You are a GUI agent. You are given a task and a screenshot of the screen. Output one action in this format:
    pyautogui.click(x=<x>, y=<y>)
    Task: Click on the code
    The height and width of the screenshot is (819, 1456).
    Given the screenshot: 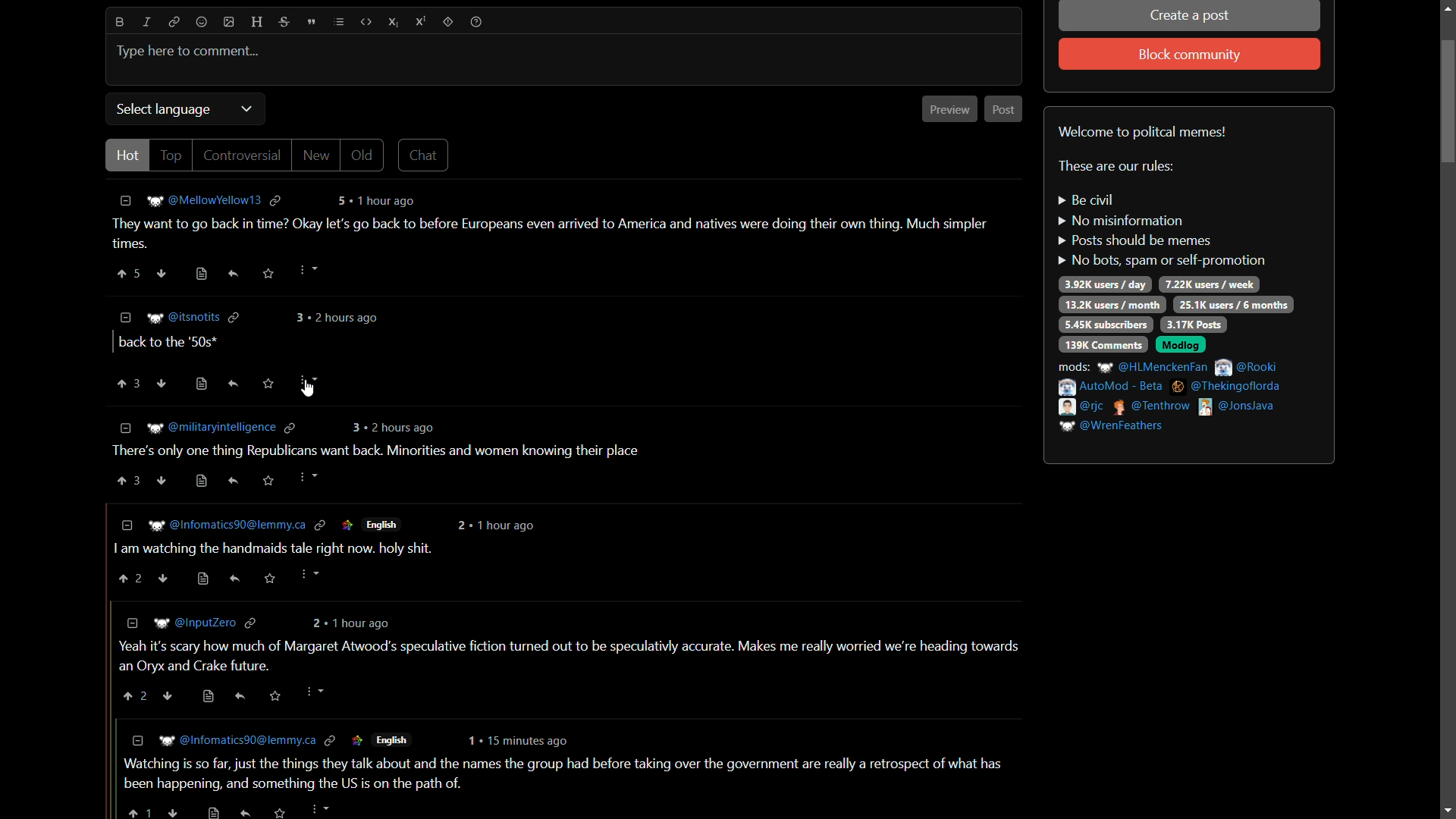 What is the action you would take?
    pyautogui.click(x=366, y=22)
    